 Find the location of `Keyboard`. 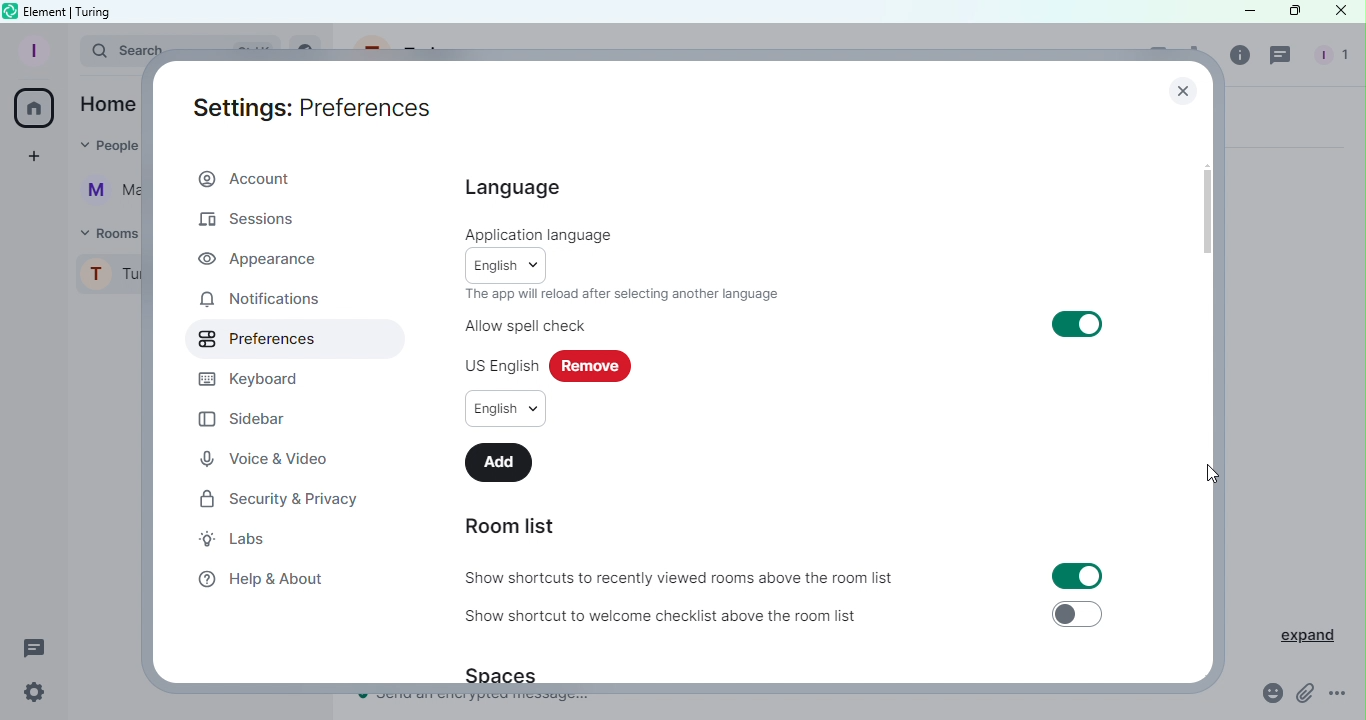

Keyboard is located at coordinates (259, 379).